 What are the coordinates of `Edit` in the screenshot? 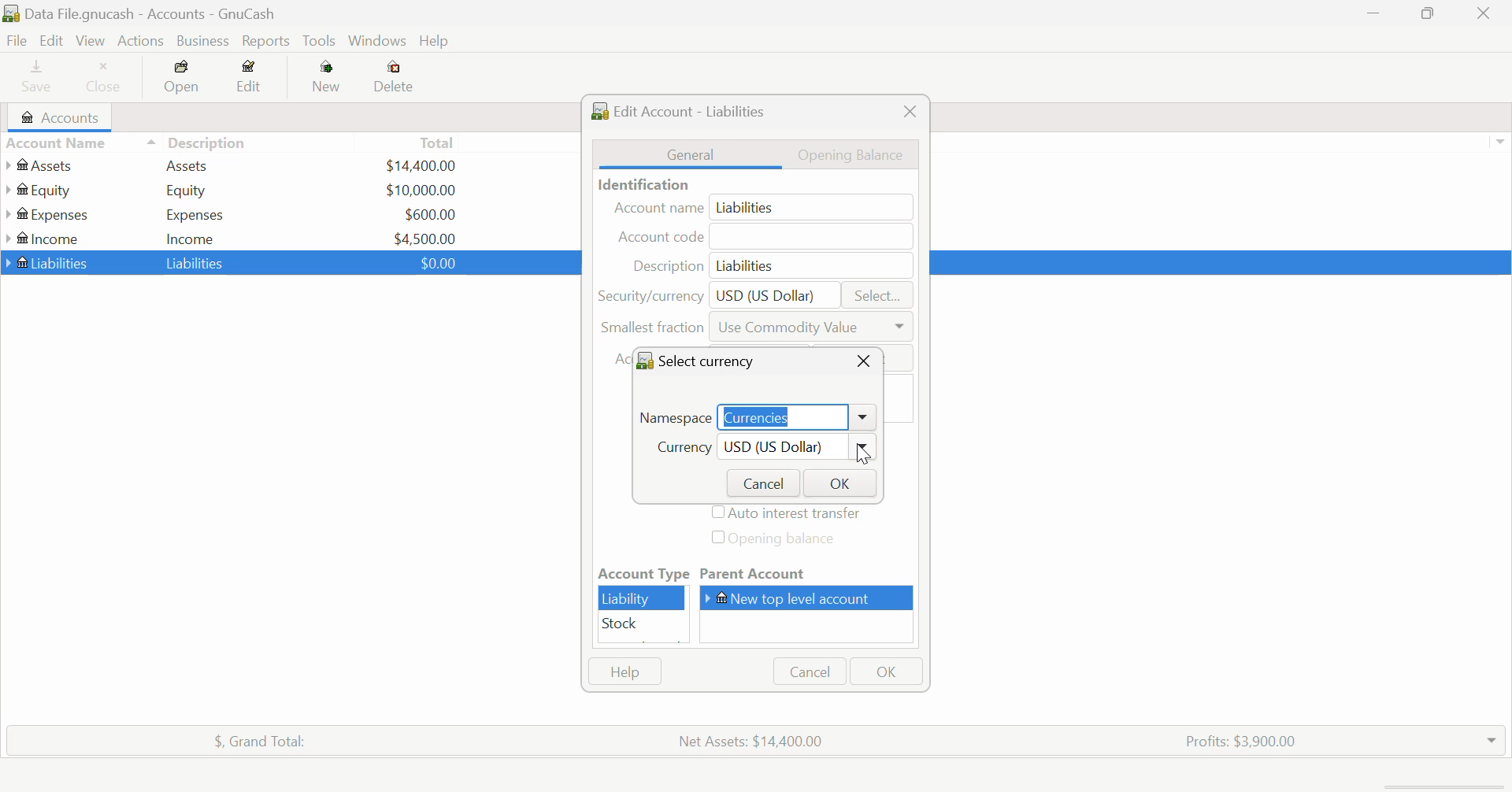 It's located at (50, 41).